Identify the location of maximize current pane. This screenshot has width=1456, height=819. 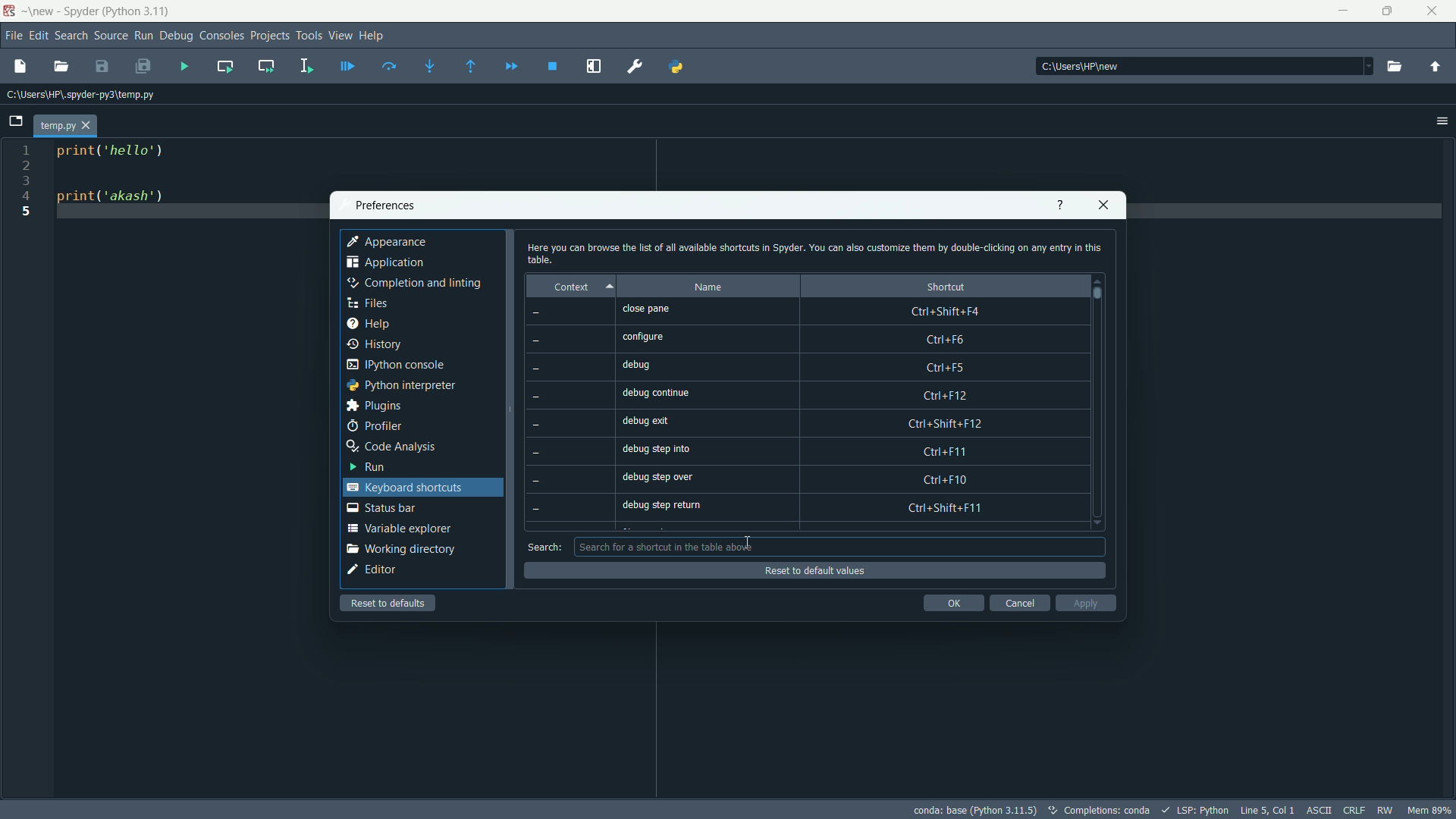
(598, 67).